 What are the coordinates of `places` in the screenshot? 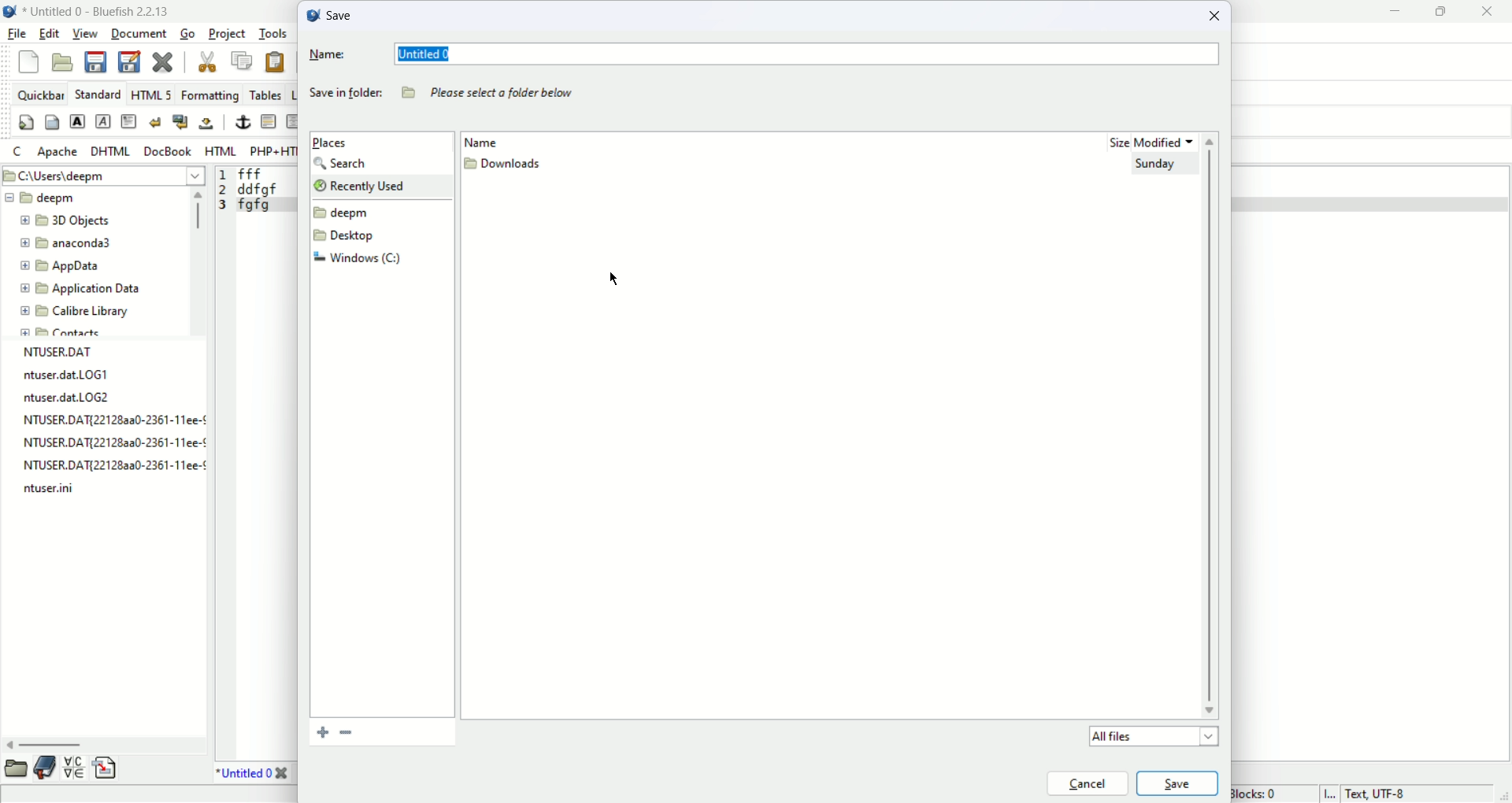 It's located at (335, 142).